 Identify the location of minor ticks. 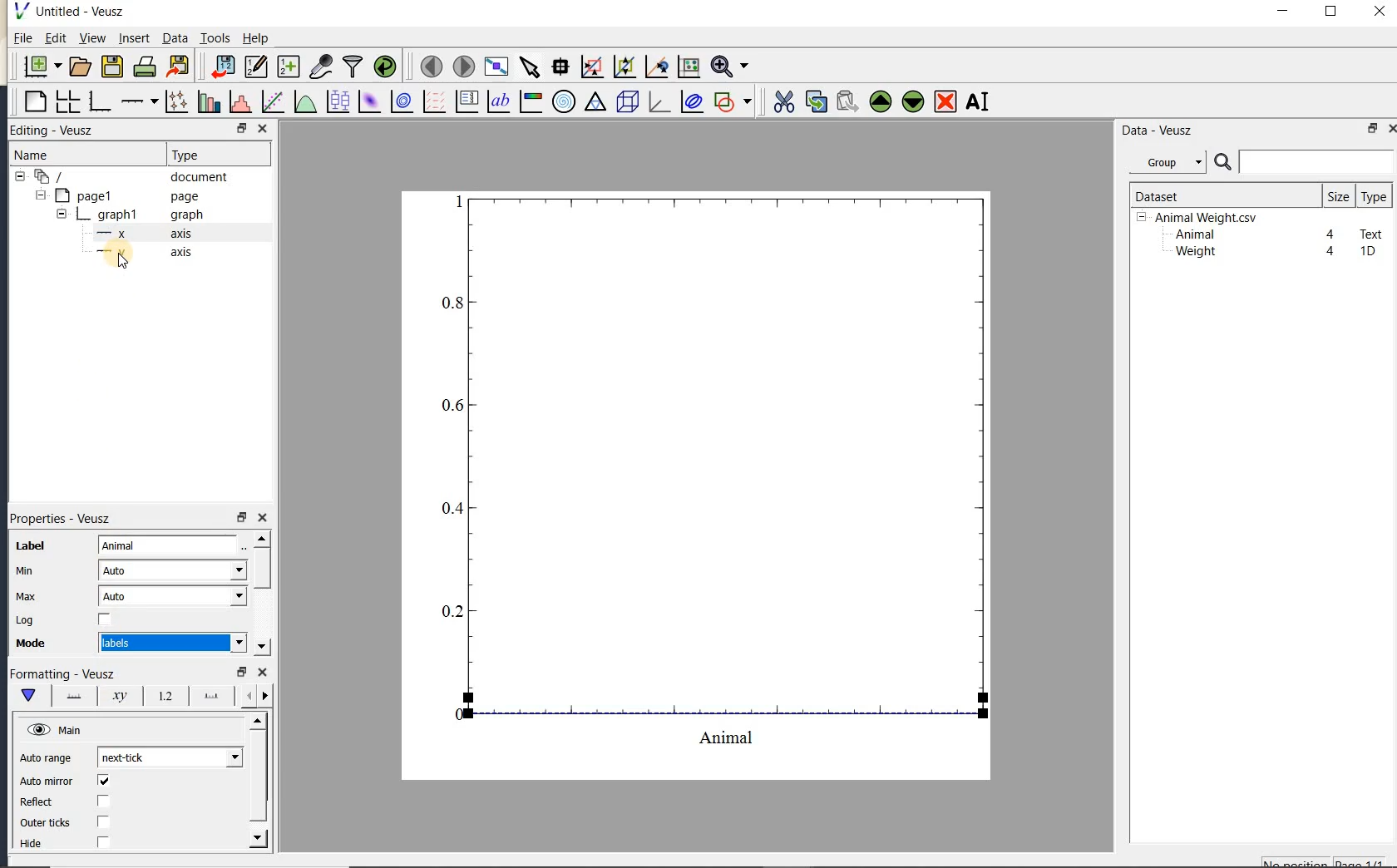
(254, 696).